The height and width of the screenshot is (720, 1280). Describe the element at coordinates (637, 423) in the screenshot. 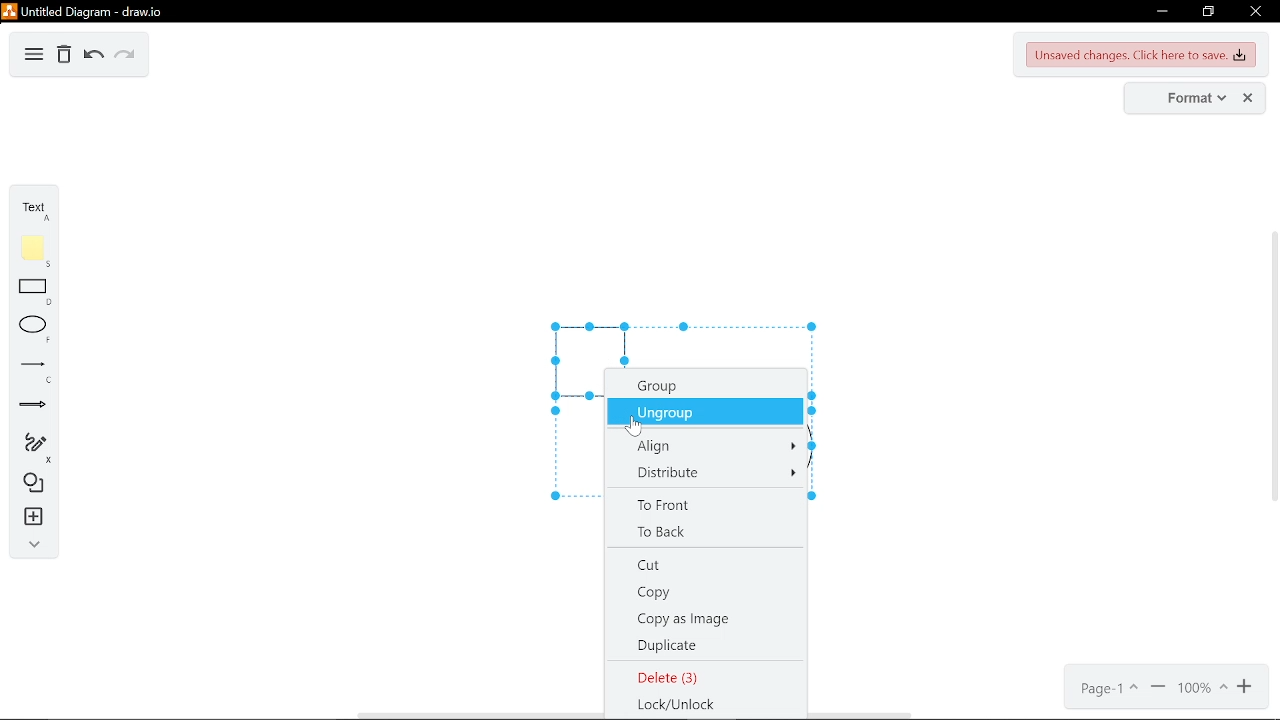

I see `Cursor` at that location.